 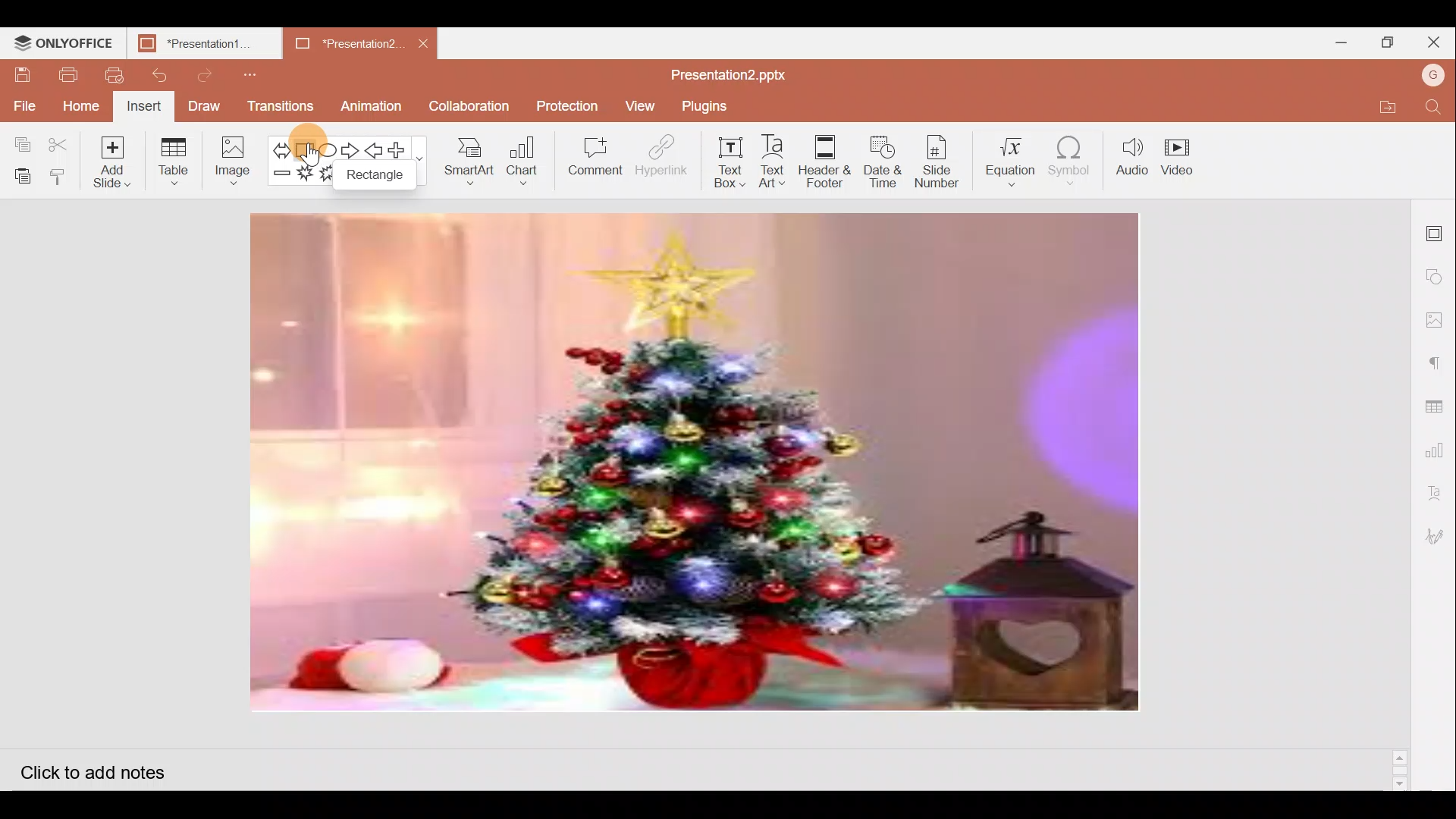 I want to click on Paste, so click(x=19, y=175).